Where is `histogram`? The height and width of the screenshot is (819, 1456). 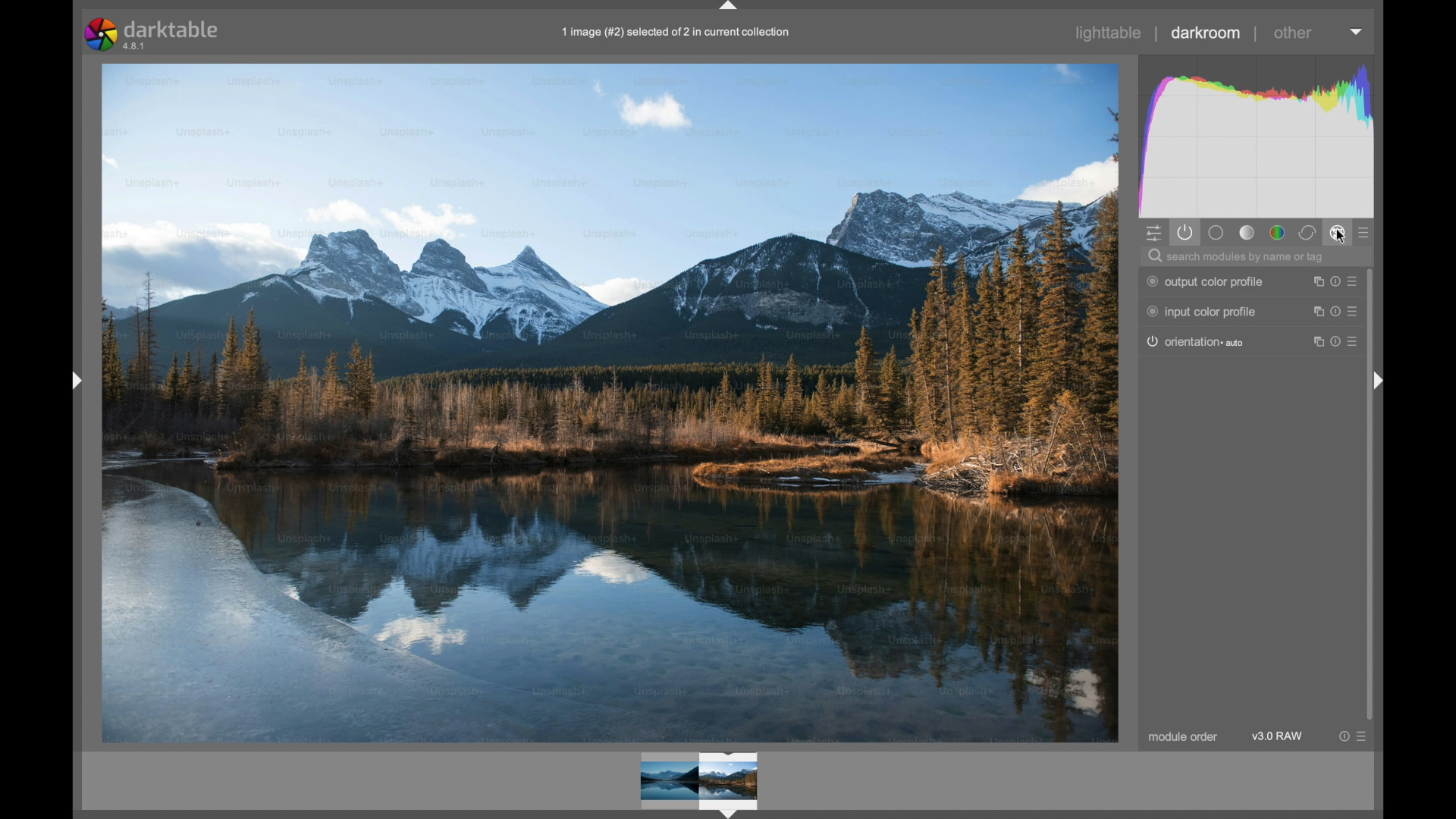
histogram is located at coordinates (1254, 134).